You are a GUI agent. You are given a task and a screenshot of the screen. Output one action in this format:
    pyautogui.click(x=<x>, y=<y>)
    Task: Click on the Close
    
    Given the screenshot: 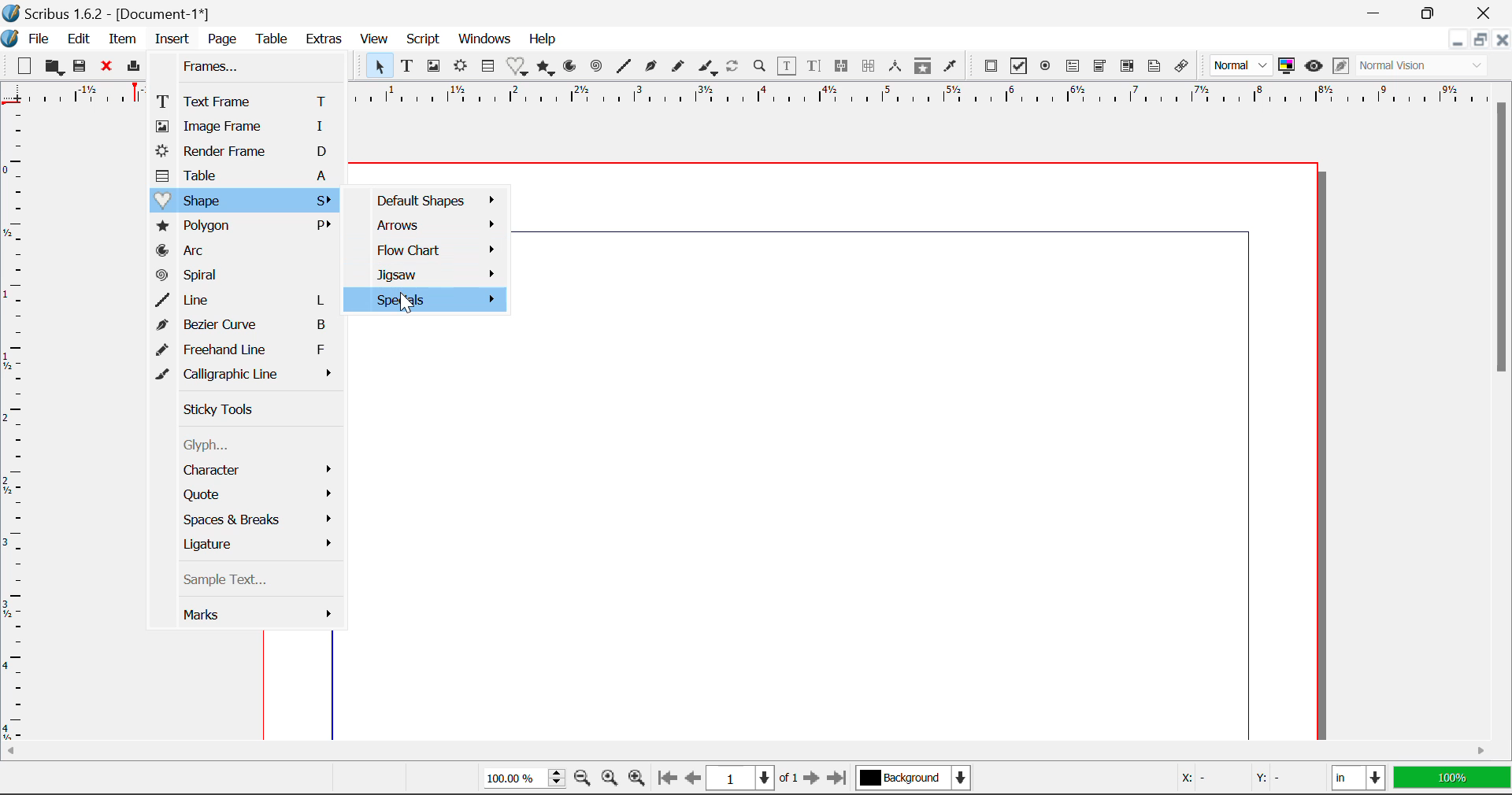 What is the action you would take?
    pyautogui.click(x=109, y=68)
    